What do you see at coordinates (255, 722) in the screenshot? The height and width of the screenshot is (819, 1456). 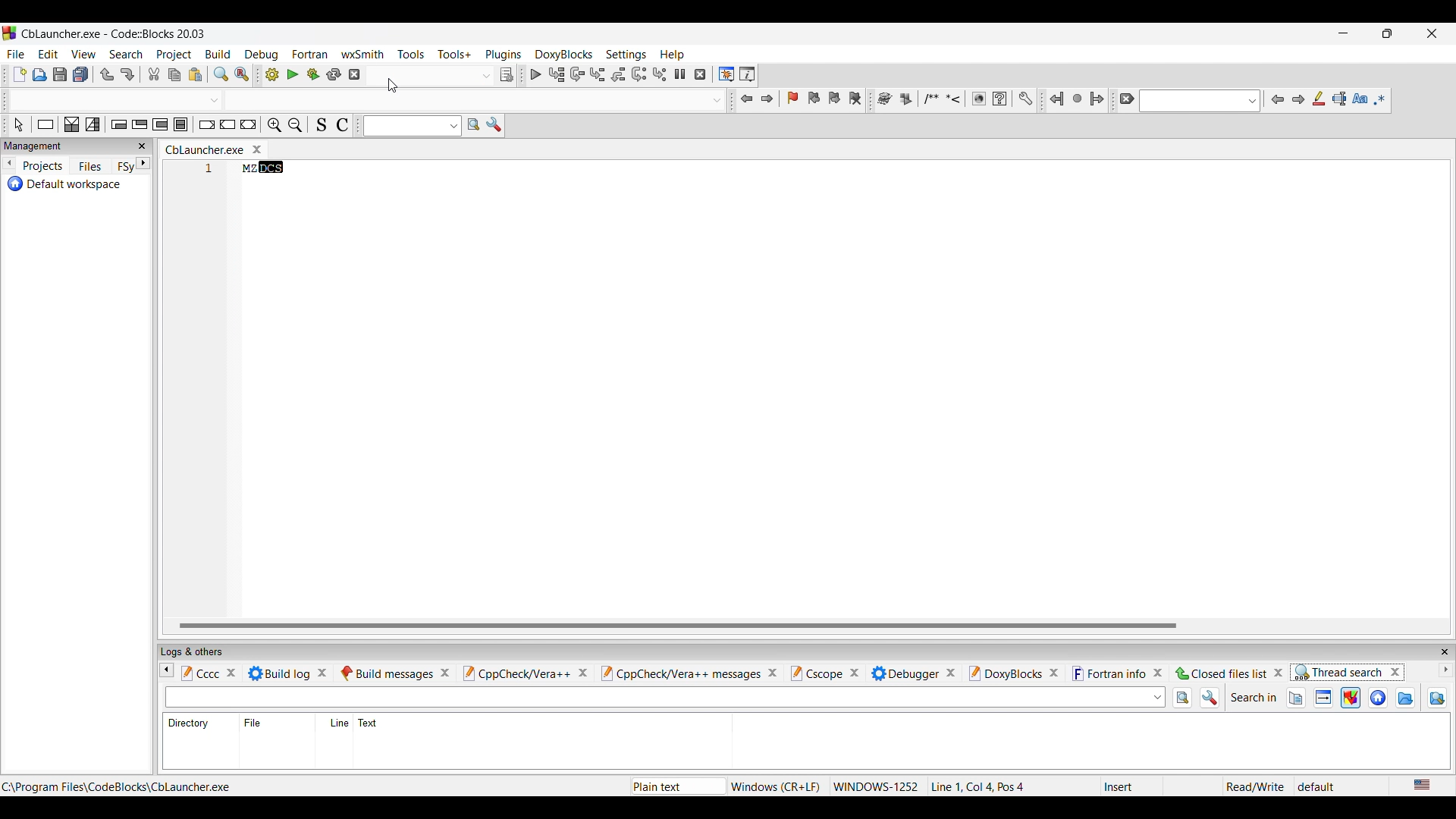 I see `File column` at bounding box center [255, 722].